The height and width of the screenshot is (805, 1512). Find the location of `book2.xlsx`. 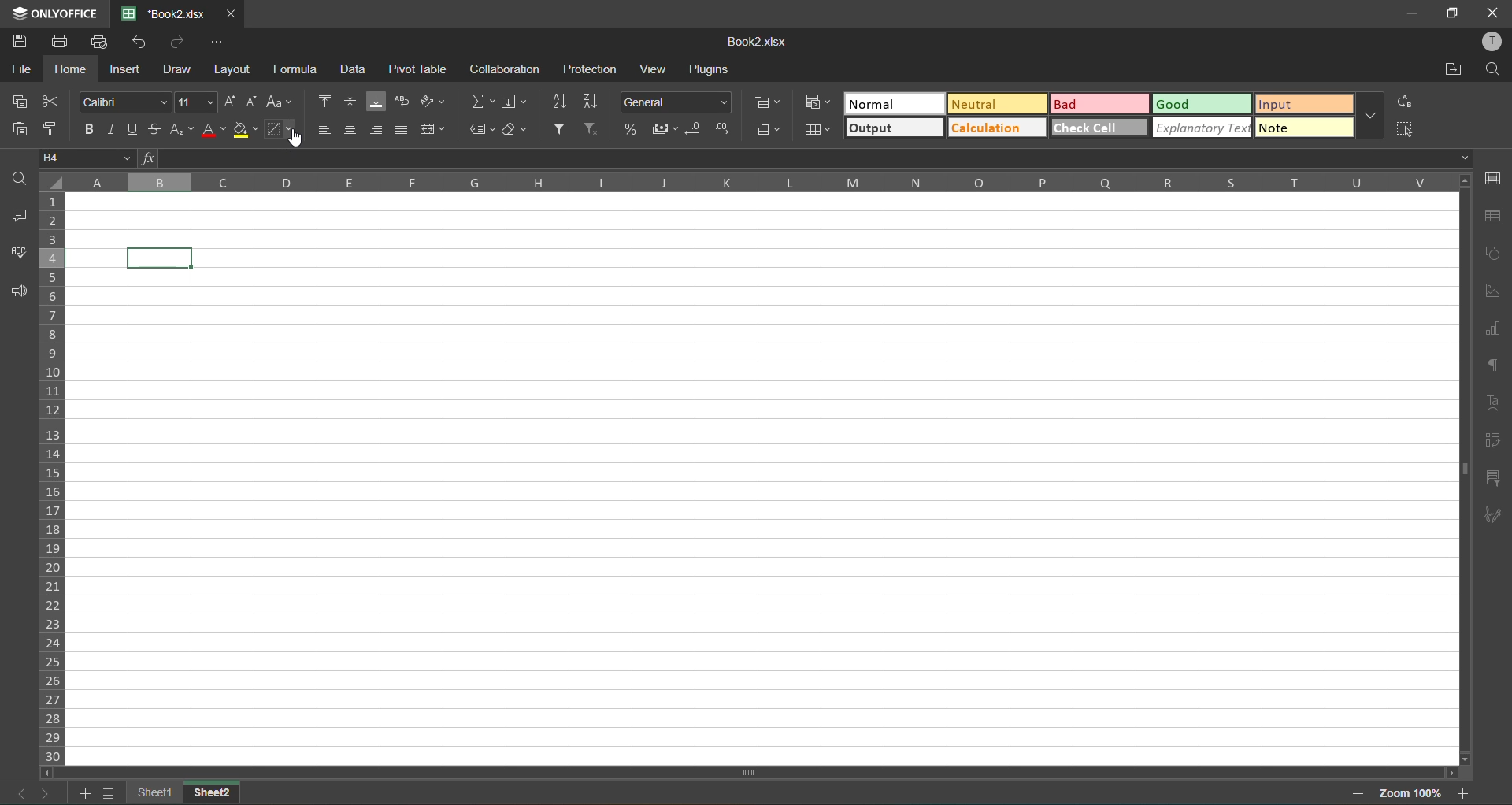

book2.xlsx is located at coordinates (169, 14).